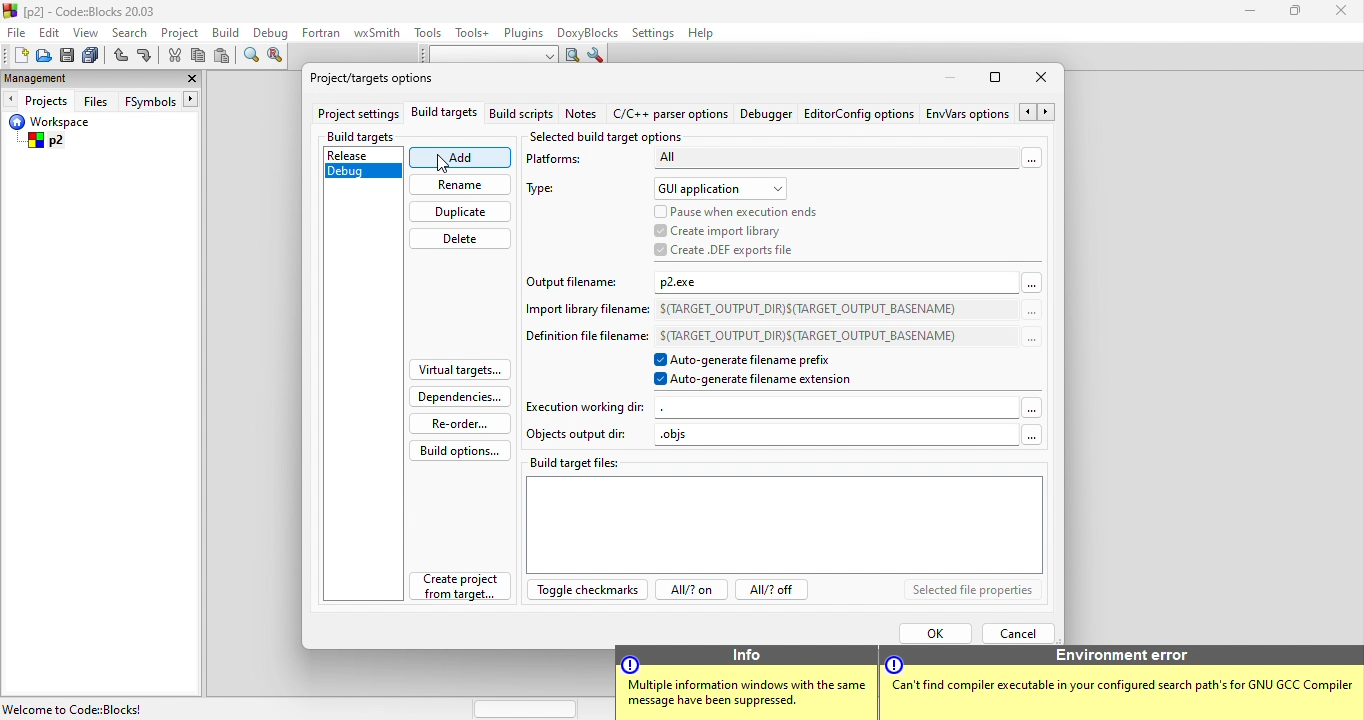 The width and height of the screenshot is (1364, 720). What do you see at coordinates (483, 55) in the screenshot?
I see `text to search` at bounding box center [483, 55].